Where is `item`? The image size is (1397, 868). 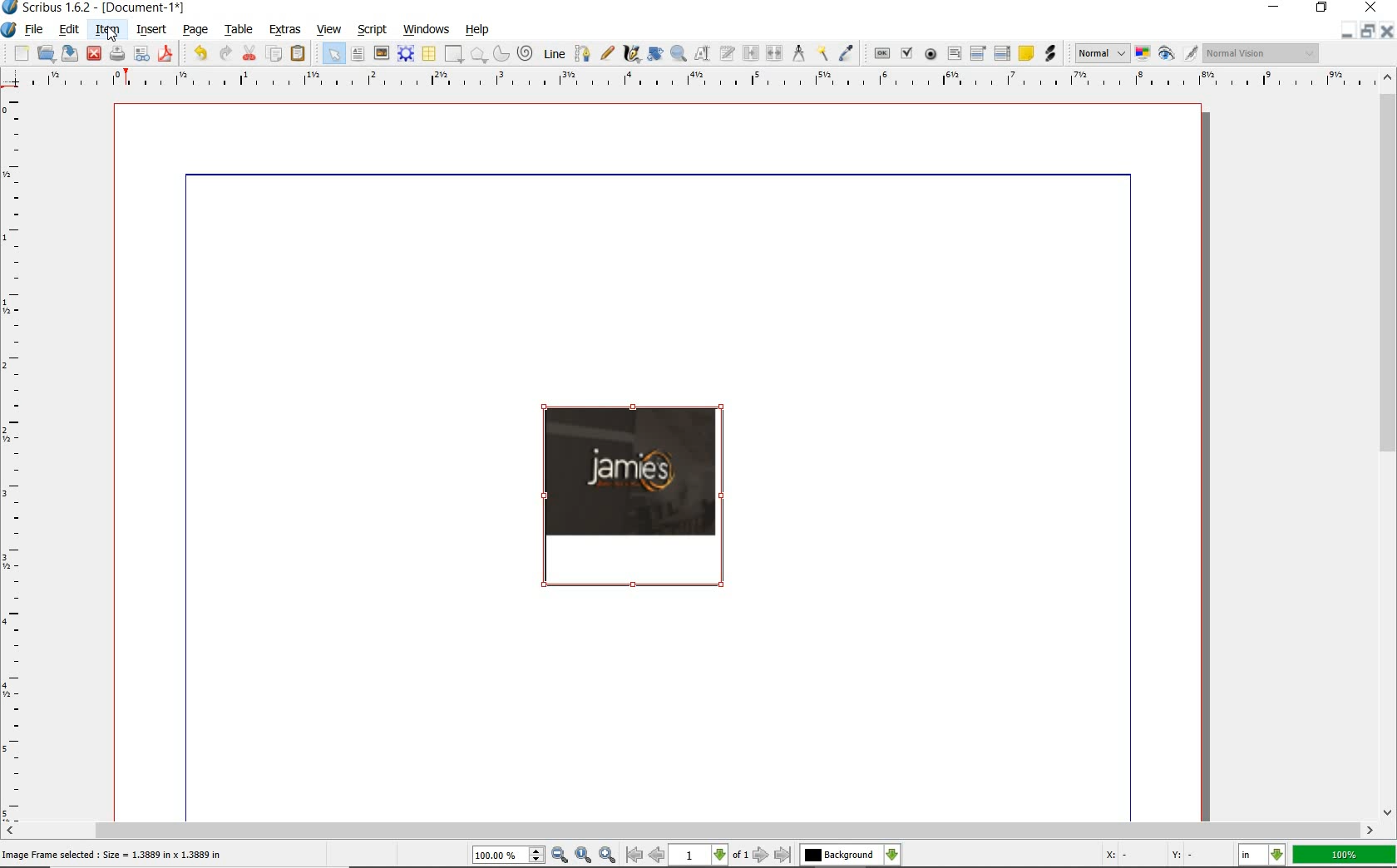 item is located at coordinates (107, 30).